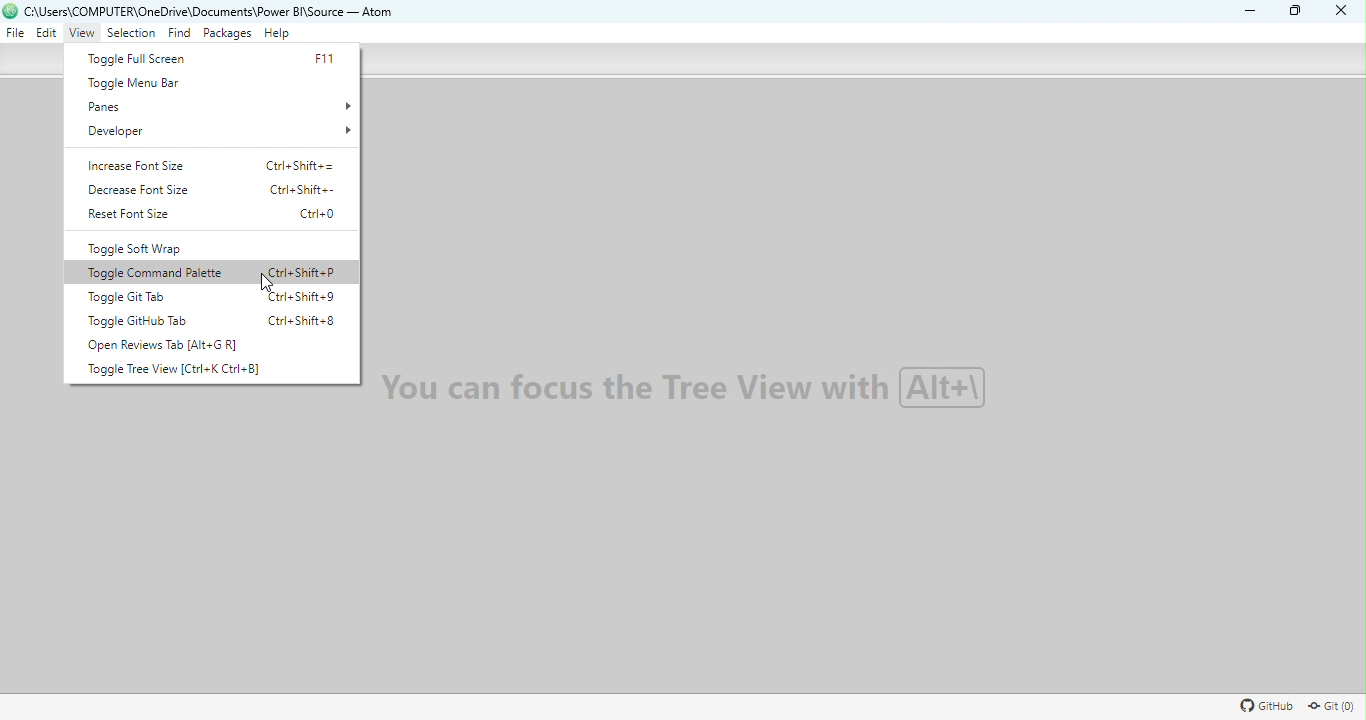 Image resolution: width=1366 pixels, height=720 pixels. I want to click on Minimize, so click(1246, 10).